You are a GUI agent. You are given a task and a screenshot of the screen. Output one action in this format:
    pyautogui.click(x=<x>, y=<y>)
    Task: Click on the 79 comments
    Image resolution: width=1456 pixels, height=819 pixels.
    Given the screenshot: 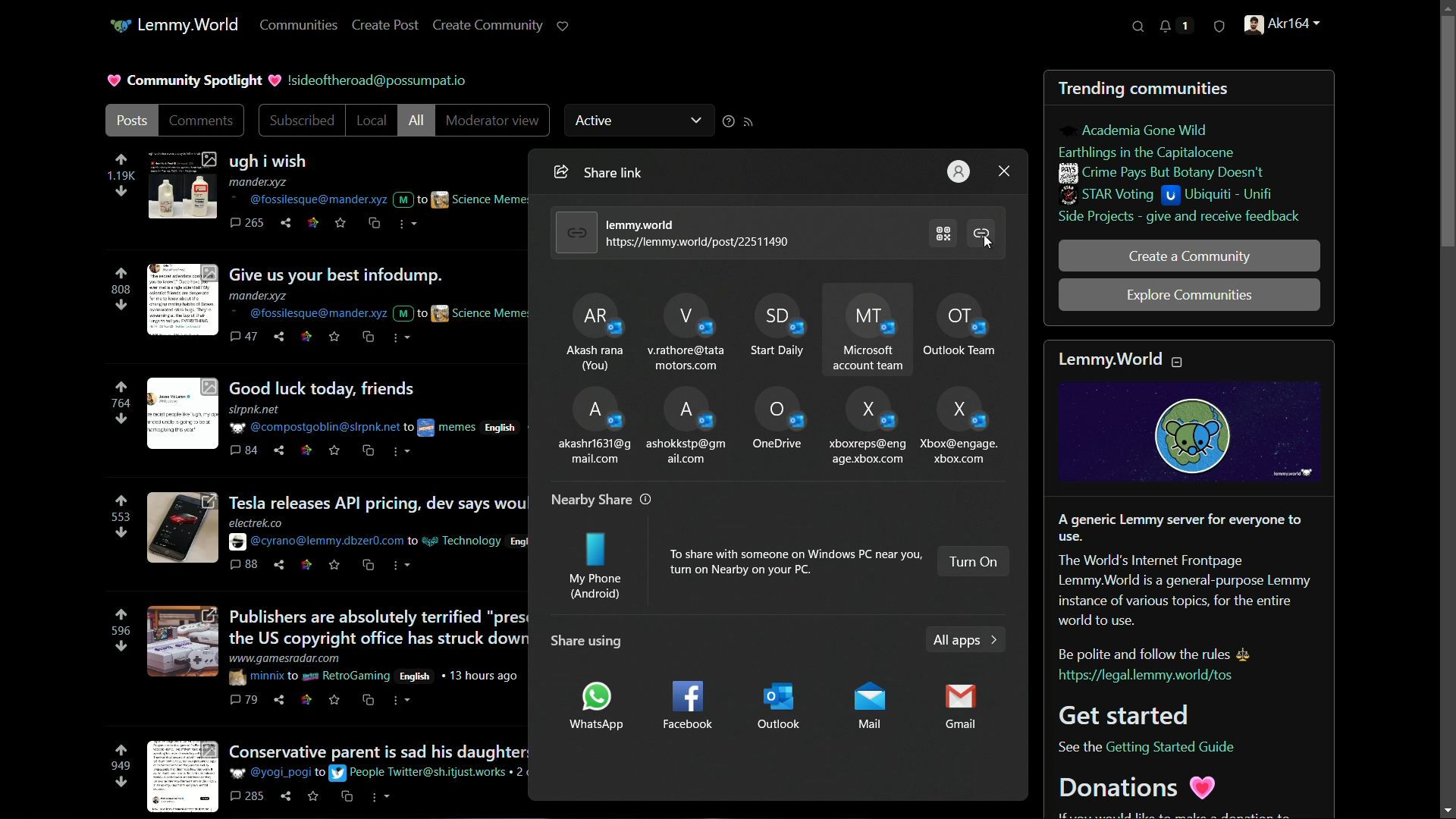 What is the action you would take?
    pyautogui.click(x=245, y=701)
    